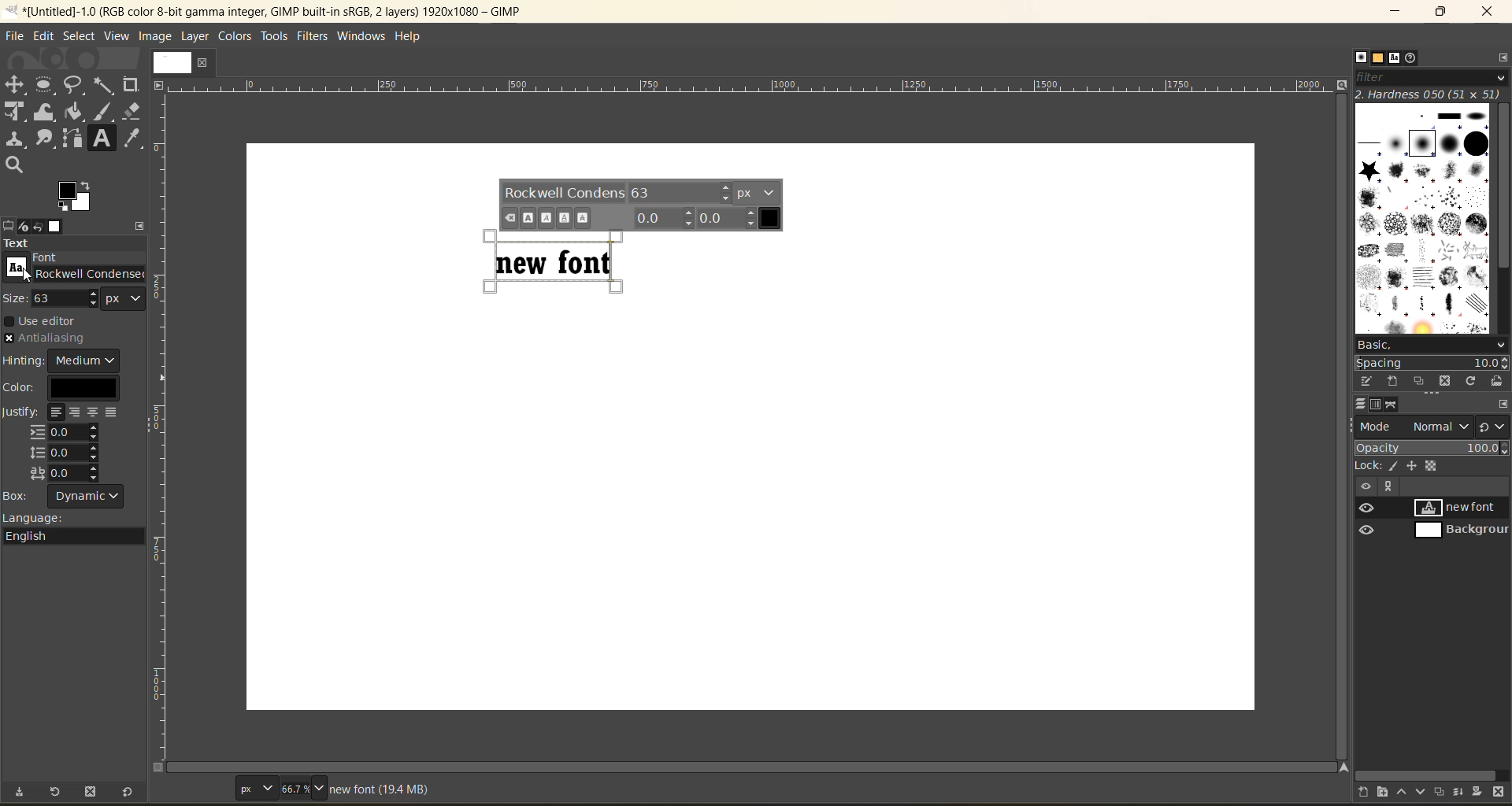 The height and width of the screenshot is (806, 1512). I want to click on help, so click(413, 37).